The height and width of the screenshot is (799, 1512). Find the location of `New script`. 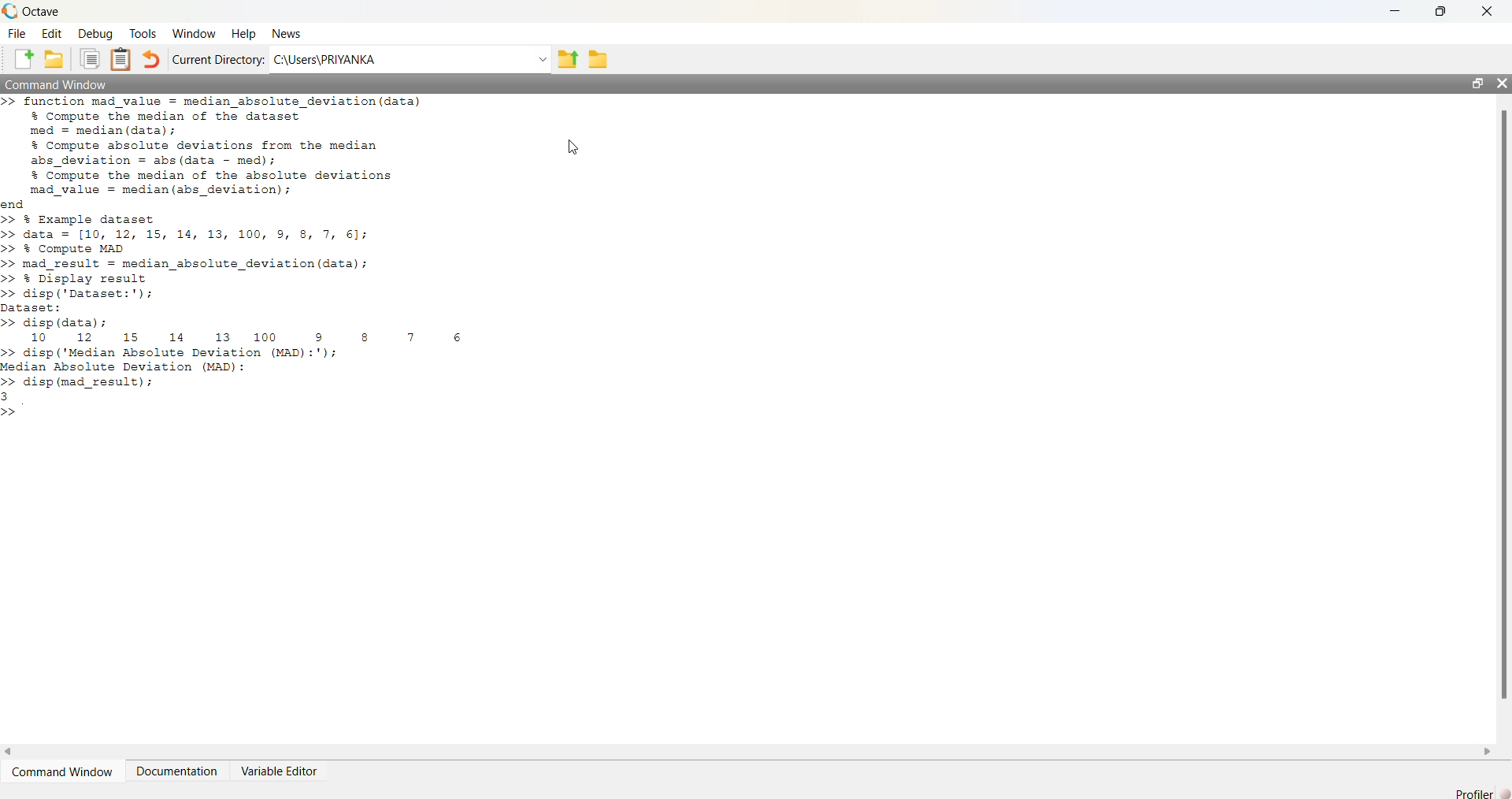

New script is located at coordinates (22, 59).